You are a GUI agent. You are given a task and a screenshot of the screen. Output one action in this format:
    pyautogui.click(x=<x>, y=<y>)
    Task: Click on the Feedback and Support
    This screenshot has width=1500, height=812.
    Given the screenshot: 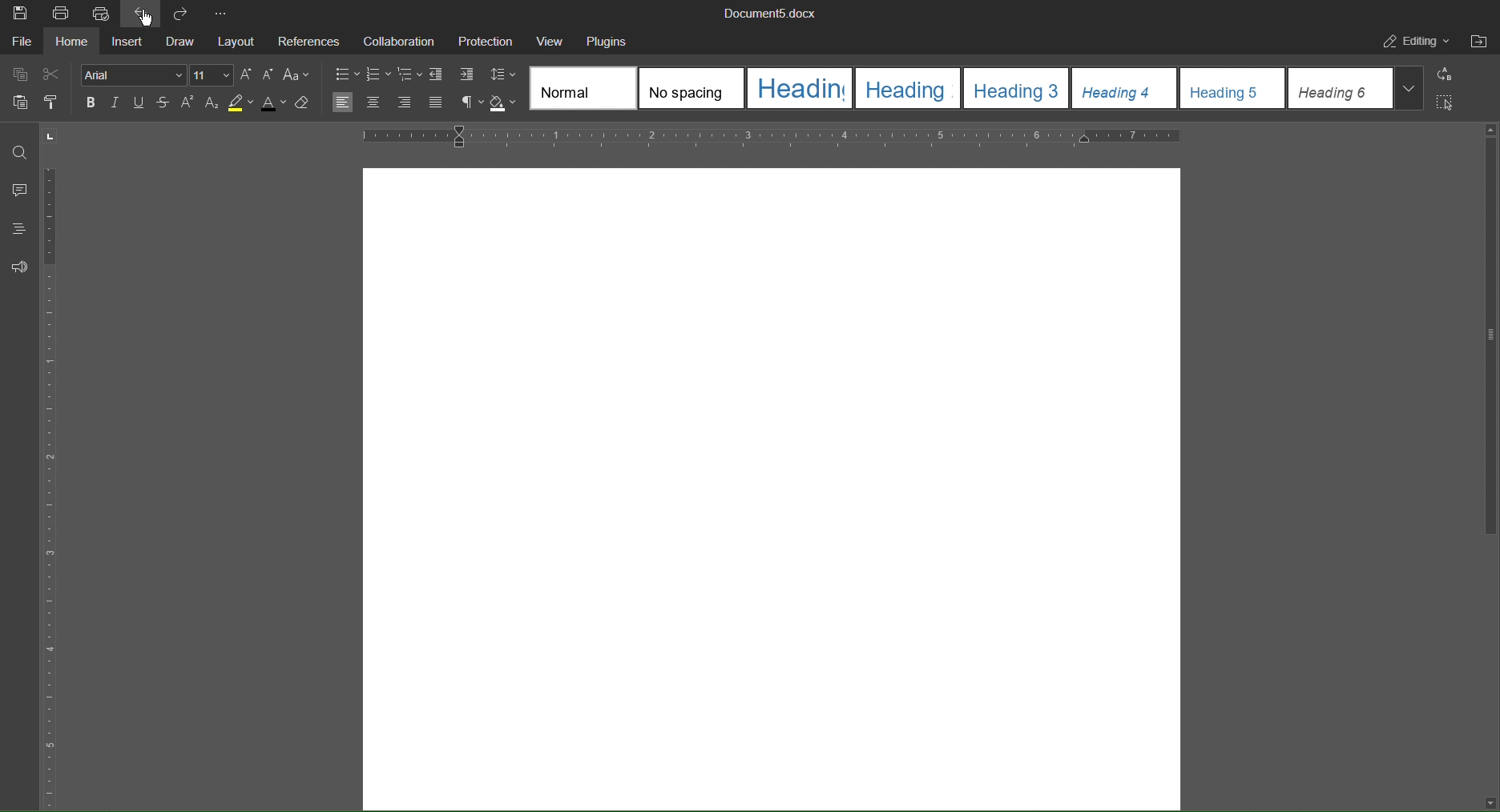 What is the action you would take?
    pyautogui.click(x=18, y=267)
    